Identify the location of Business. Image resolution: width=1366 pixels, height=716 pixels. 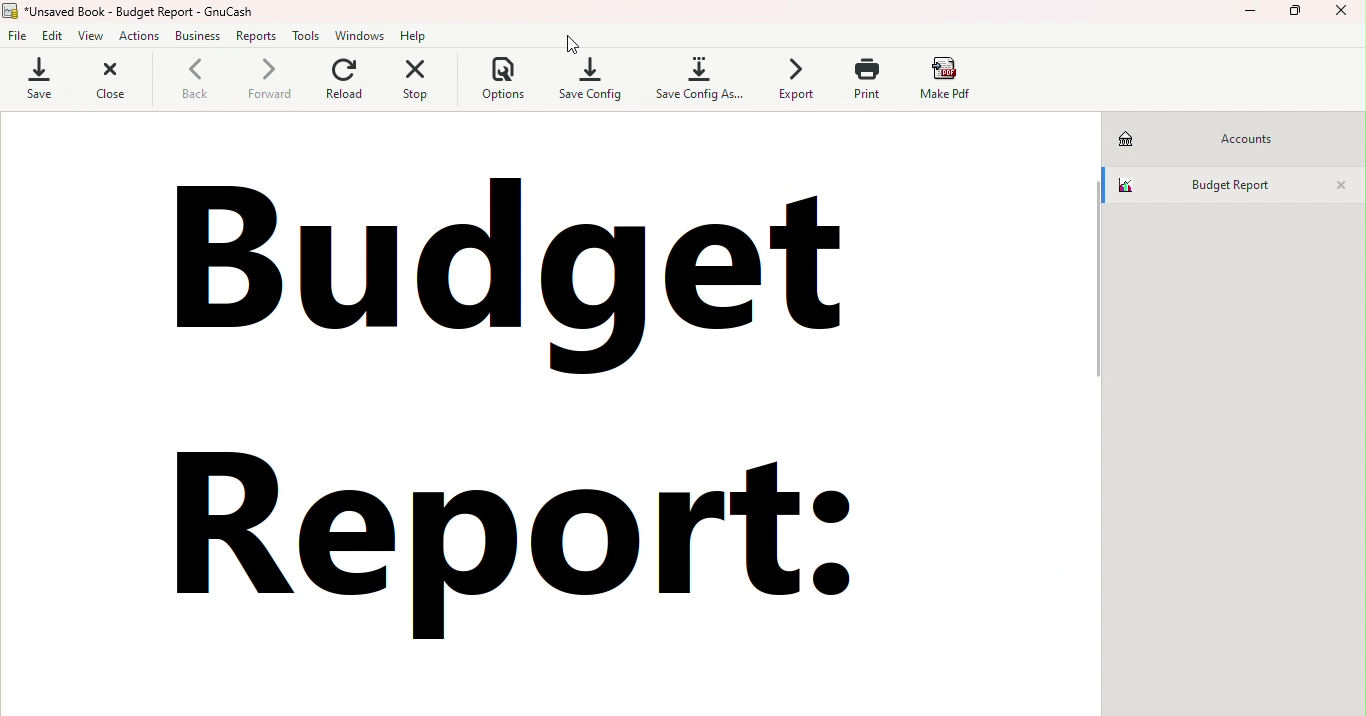
(199, 37).